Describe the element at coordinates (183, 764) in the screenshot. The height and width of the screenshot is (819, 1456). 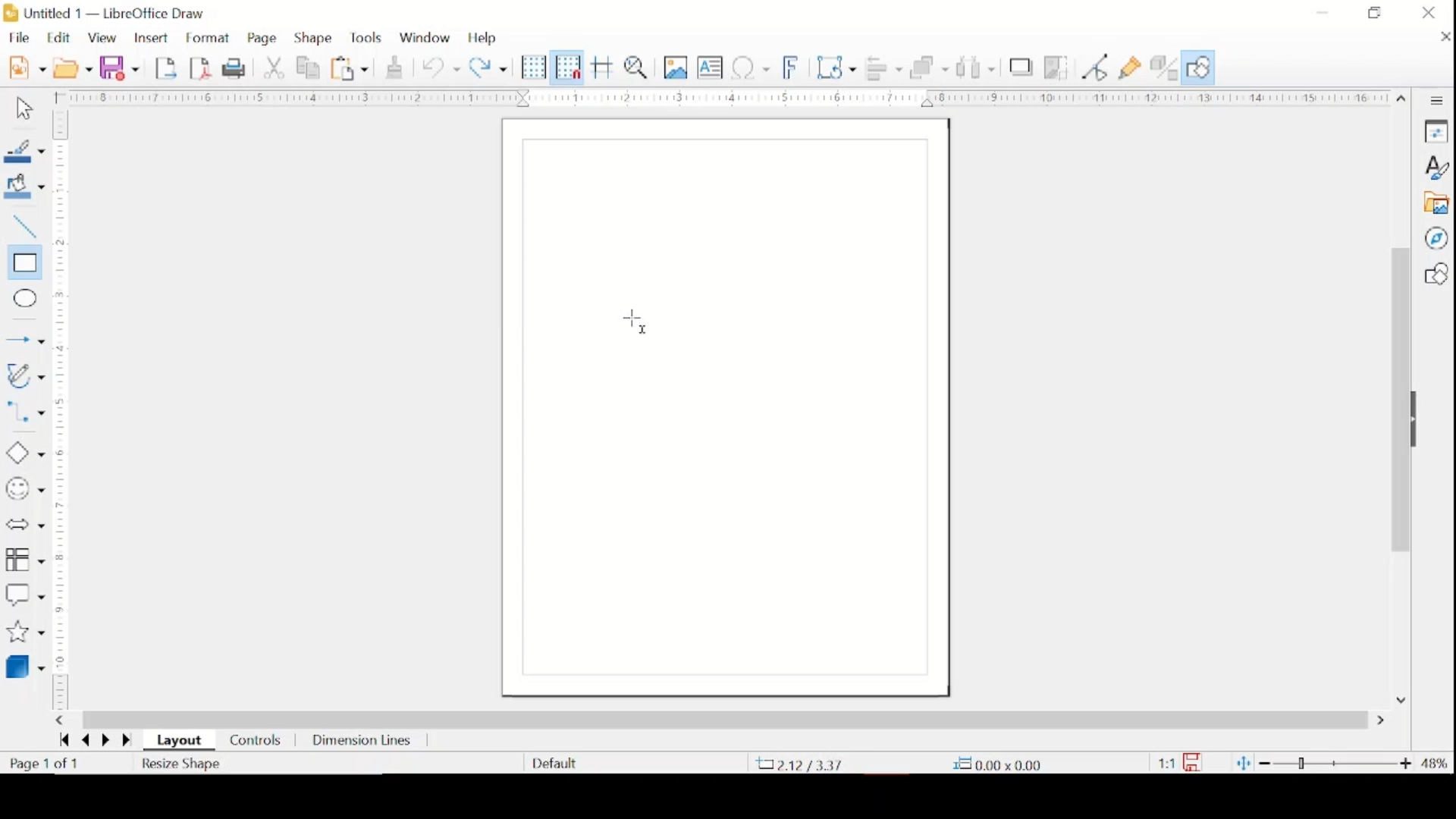
I see `Resize Shape` at that location.